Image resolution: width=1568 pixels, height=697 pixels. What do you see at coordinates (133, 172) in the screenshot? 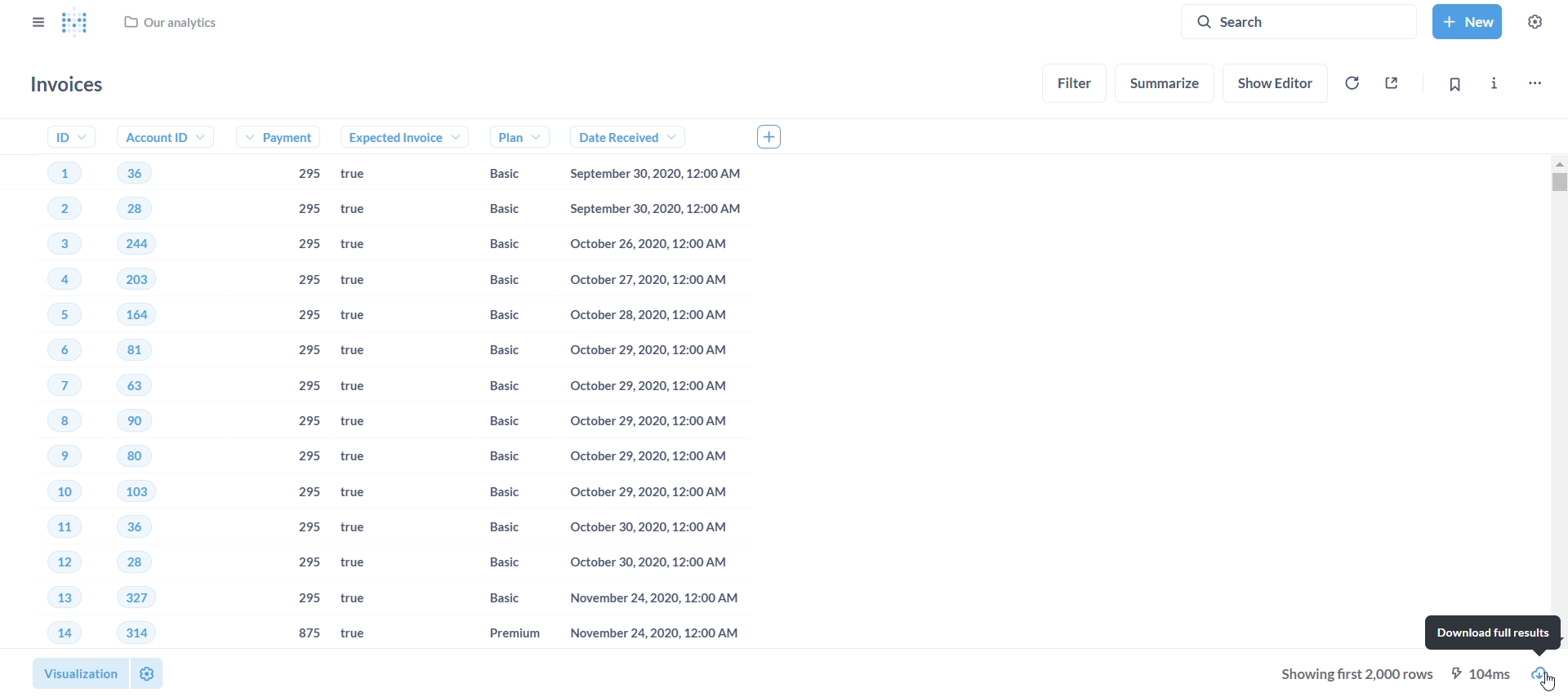
I see `36` at bounding box center [133, 172].